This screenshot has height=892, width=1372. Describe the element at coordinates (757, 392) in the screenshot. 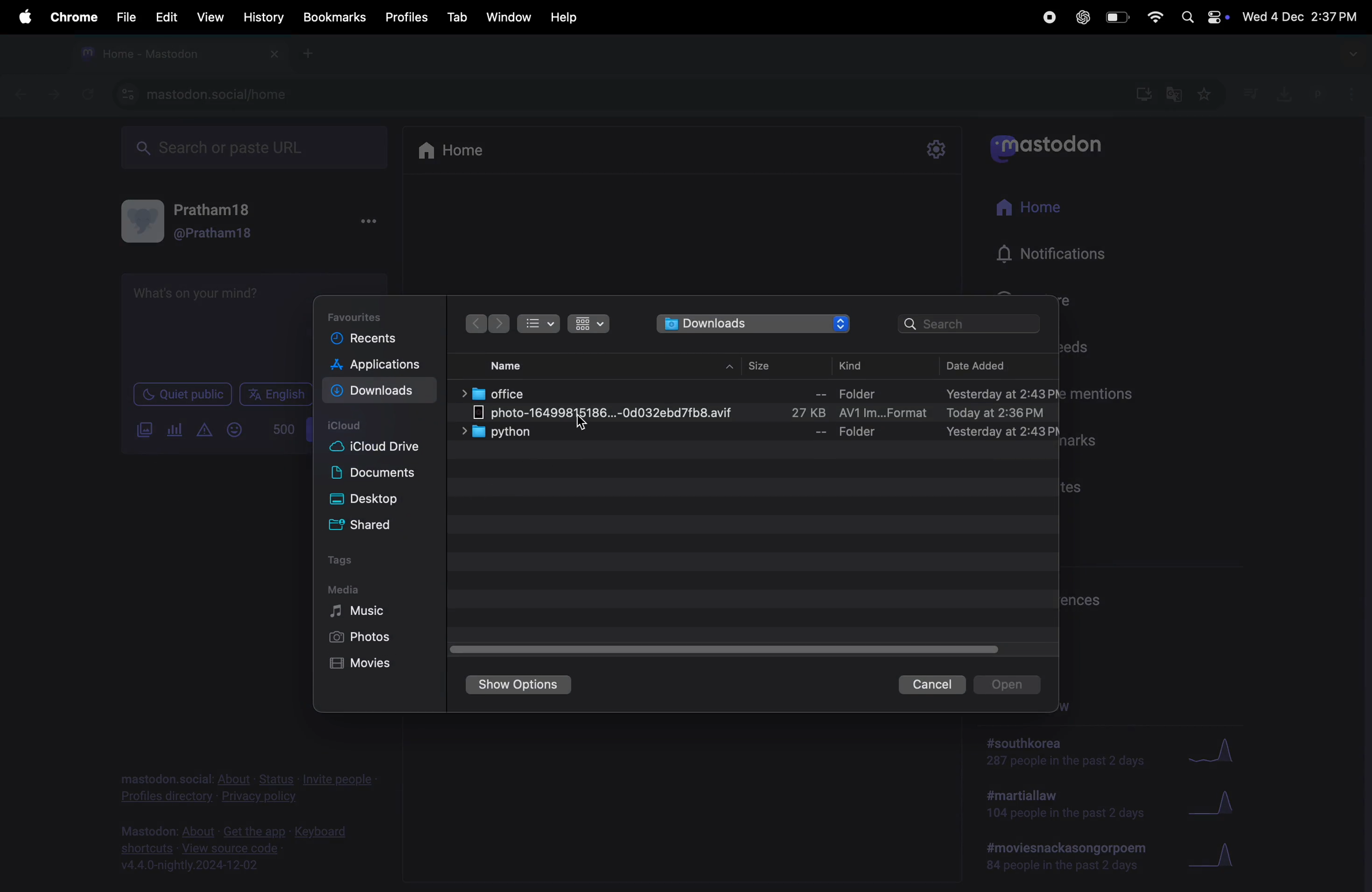

I see `office` at that location.